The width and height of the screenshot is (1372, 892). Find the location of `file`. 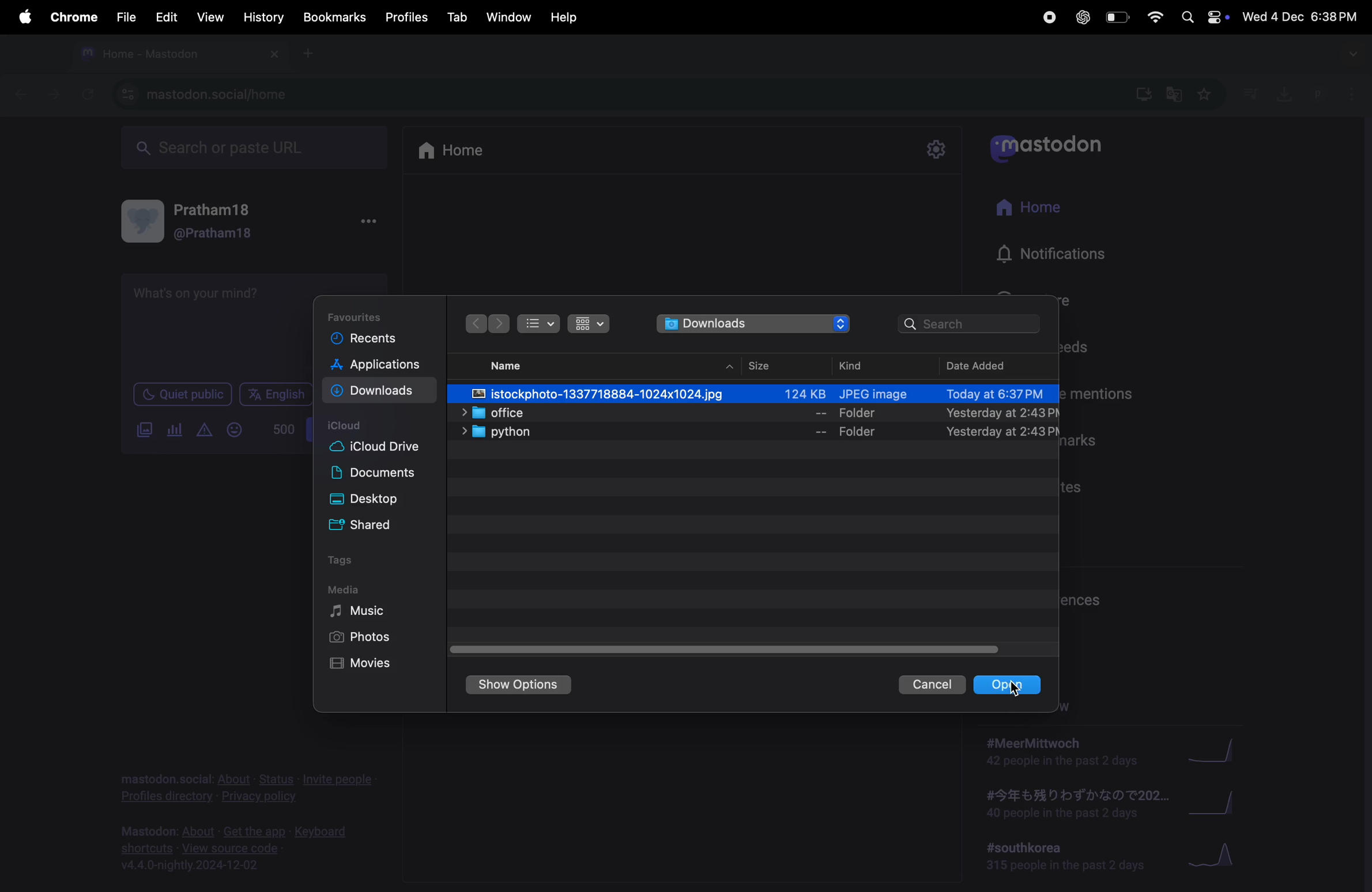

file is located at coordinates (125, 14).